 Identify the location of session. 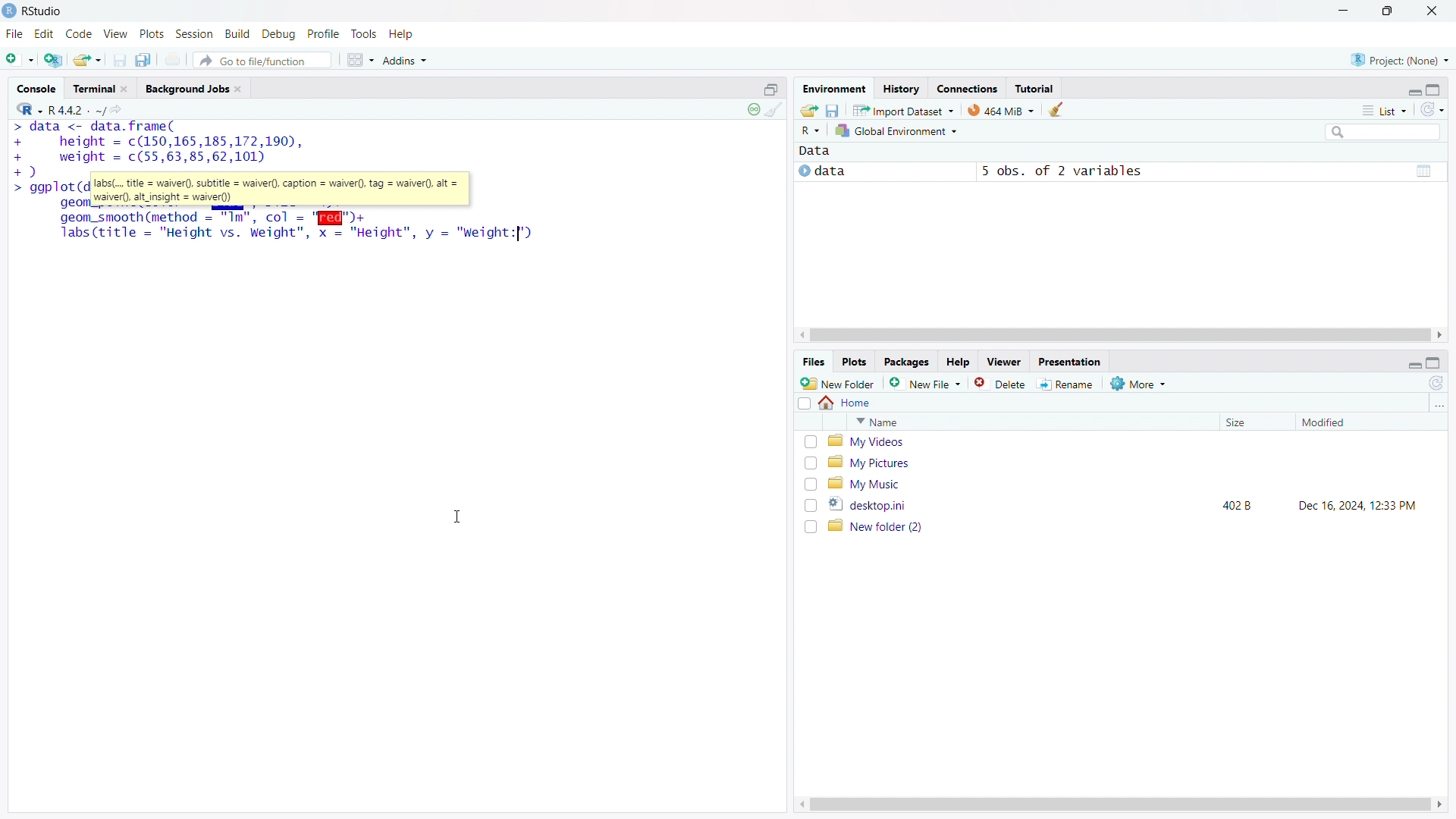
(194, 33).